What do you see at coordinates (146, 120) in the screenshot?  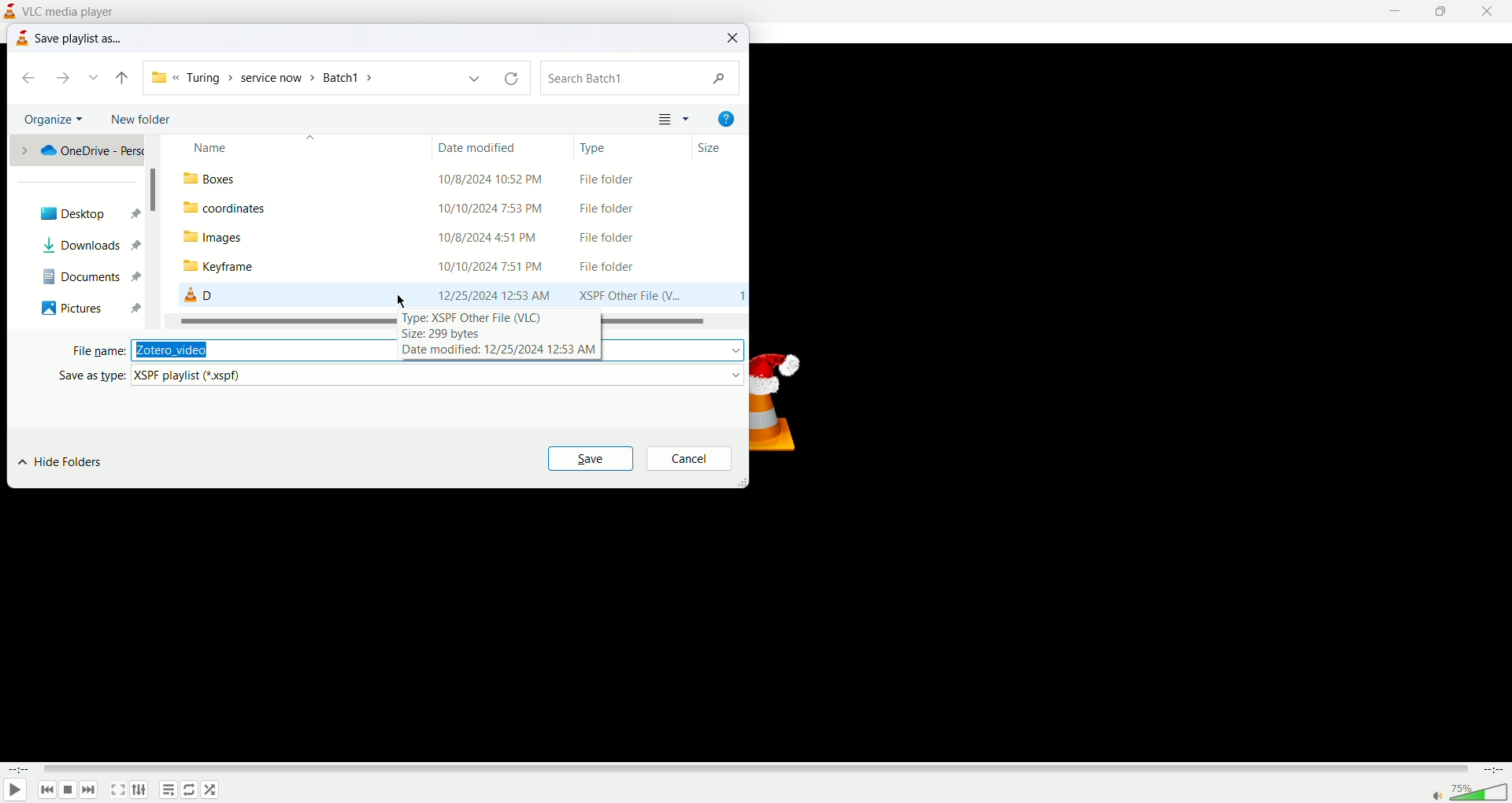 I see `newfolder` at bounding box center [146, 120].